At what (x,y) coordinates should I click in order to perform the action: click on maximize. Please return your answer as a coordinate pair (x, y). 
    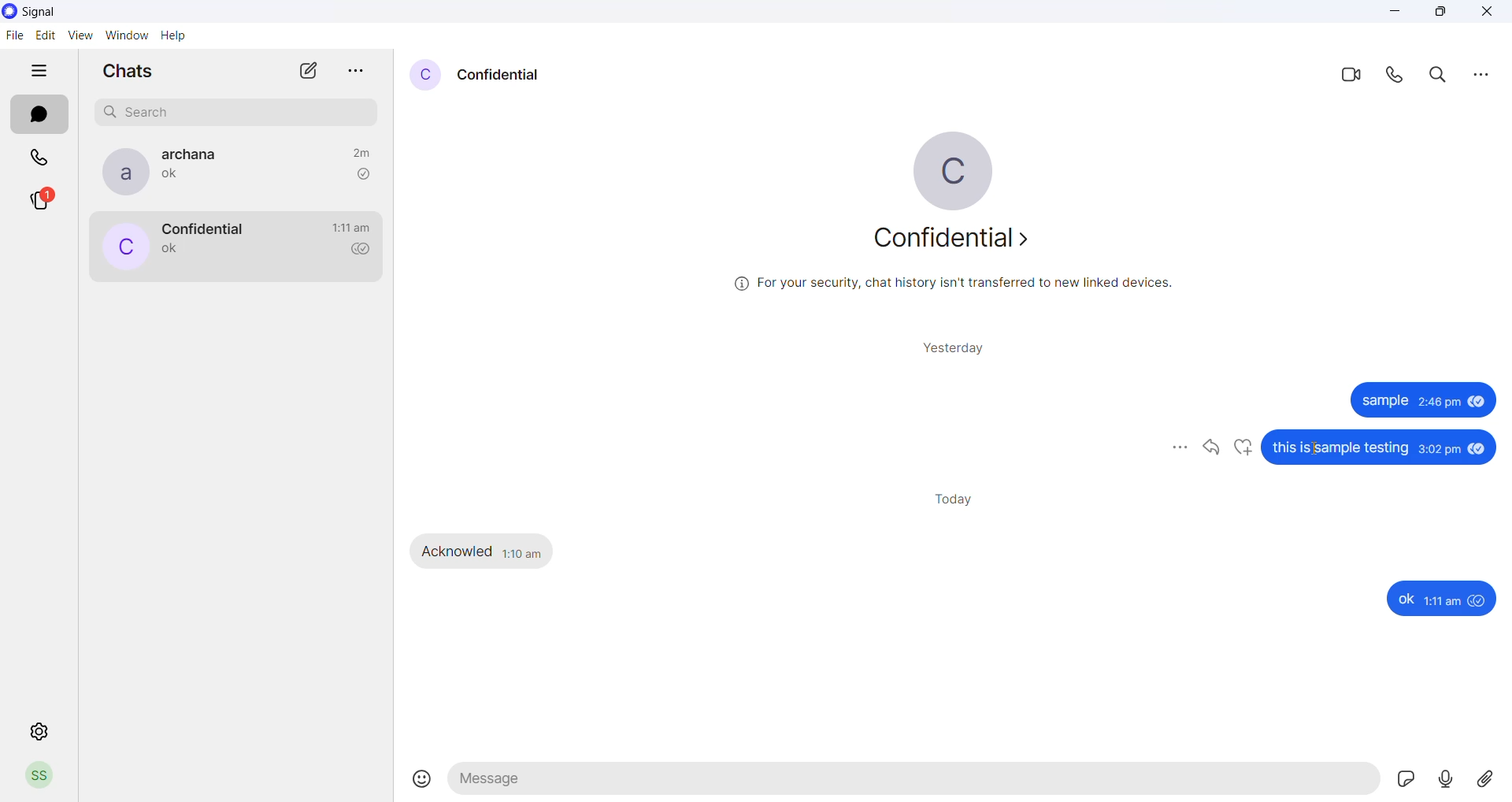
    Looking at the image, I should click on (1440, 14).